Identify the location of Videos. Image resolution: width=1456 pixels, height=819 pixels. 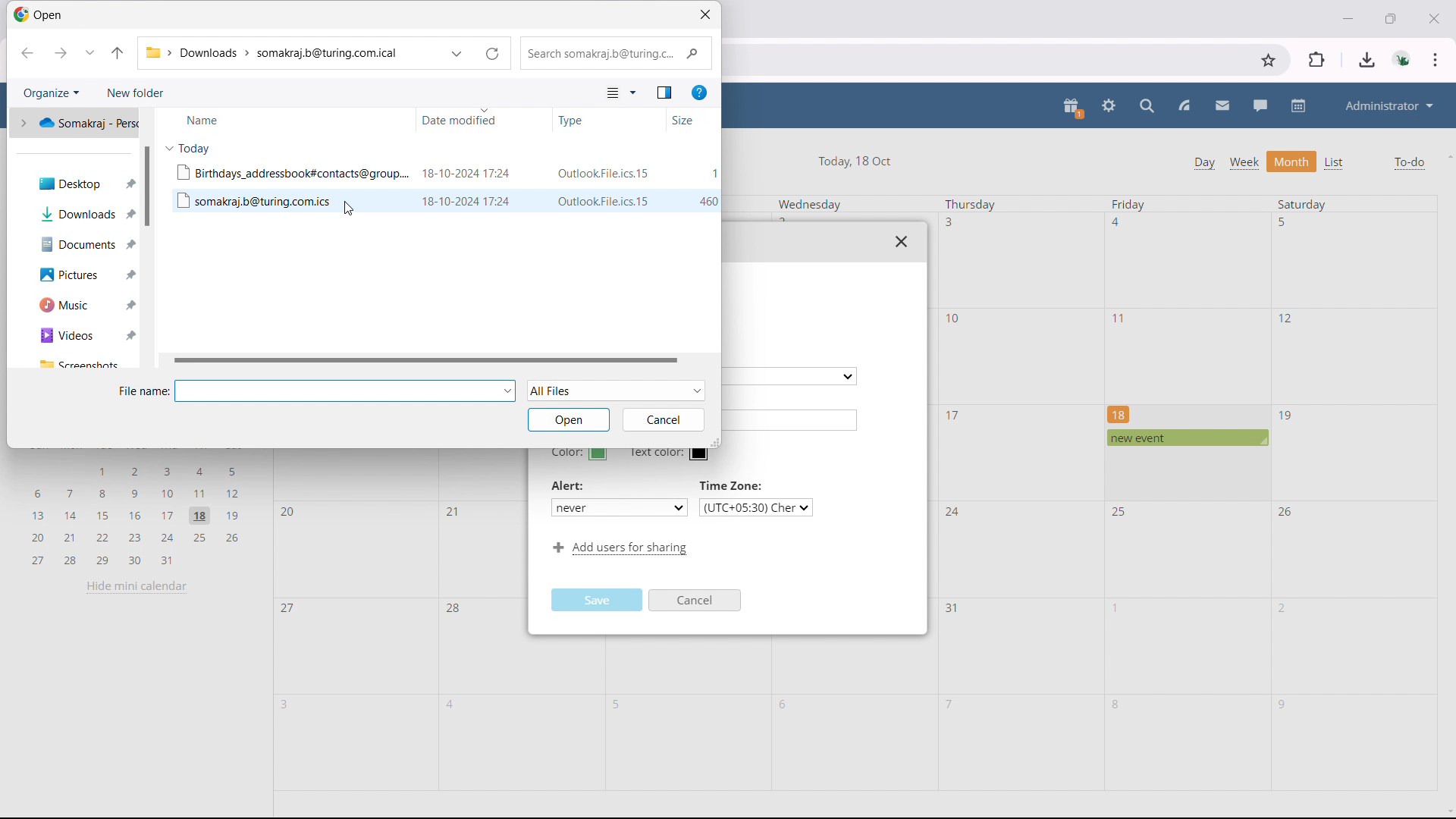
(75, 336).